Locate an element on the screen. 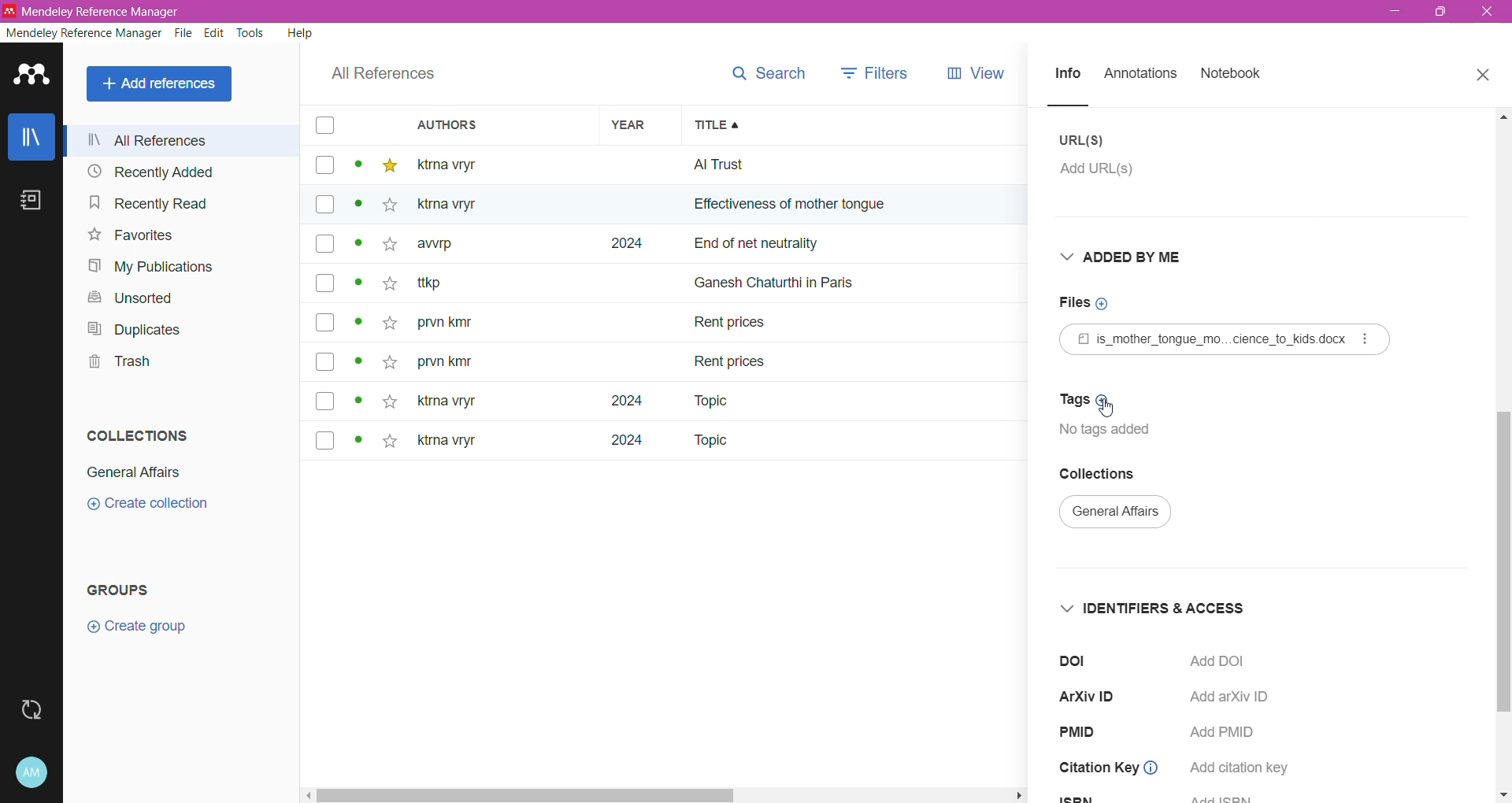  prvn kity is located at coordinates (445, 364).